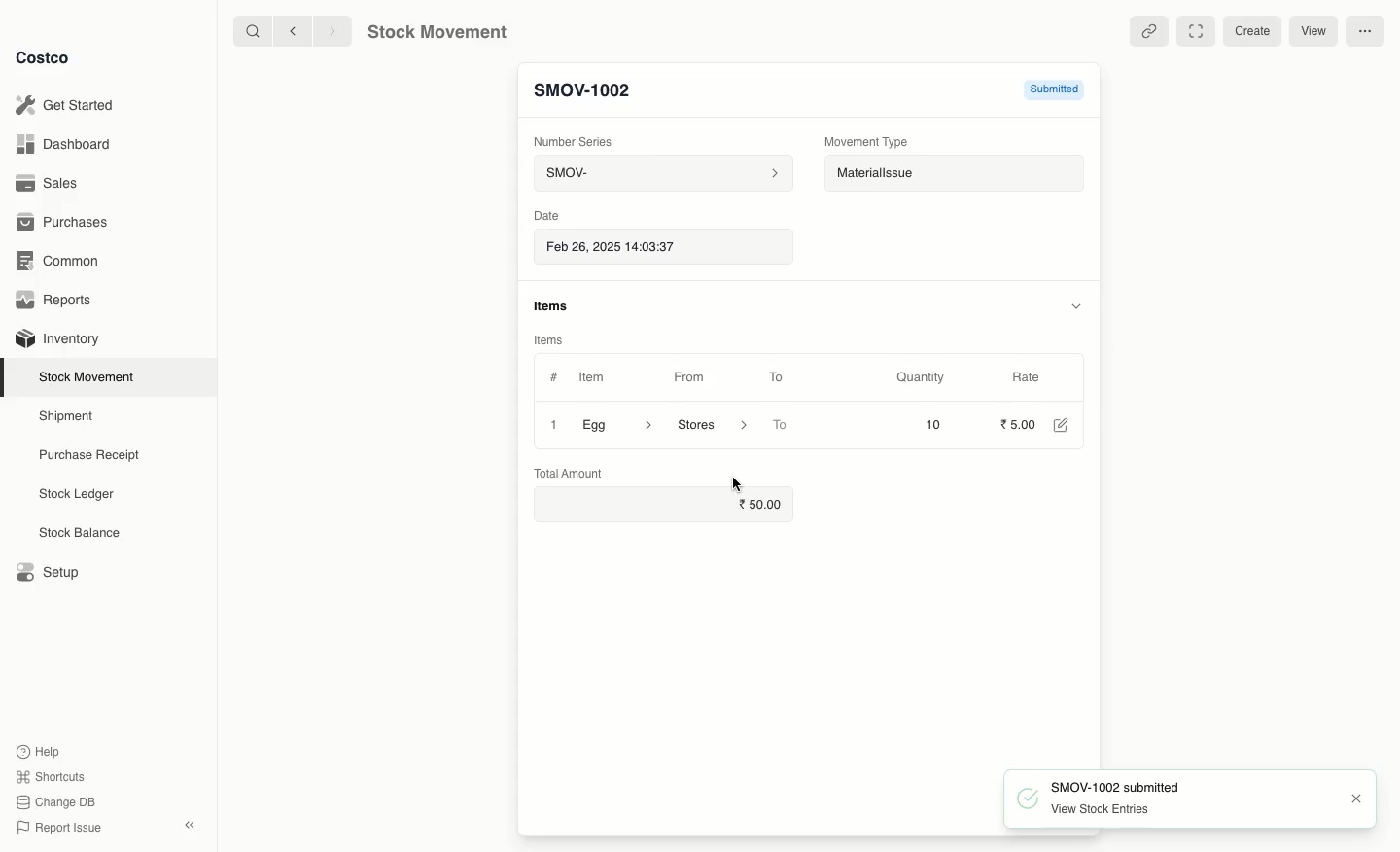 The height and width of the screenshot is (852, 1400). Describe the element at coordinates (1019, 424) in the screenshot. I see `5.00` at that location.